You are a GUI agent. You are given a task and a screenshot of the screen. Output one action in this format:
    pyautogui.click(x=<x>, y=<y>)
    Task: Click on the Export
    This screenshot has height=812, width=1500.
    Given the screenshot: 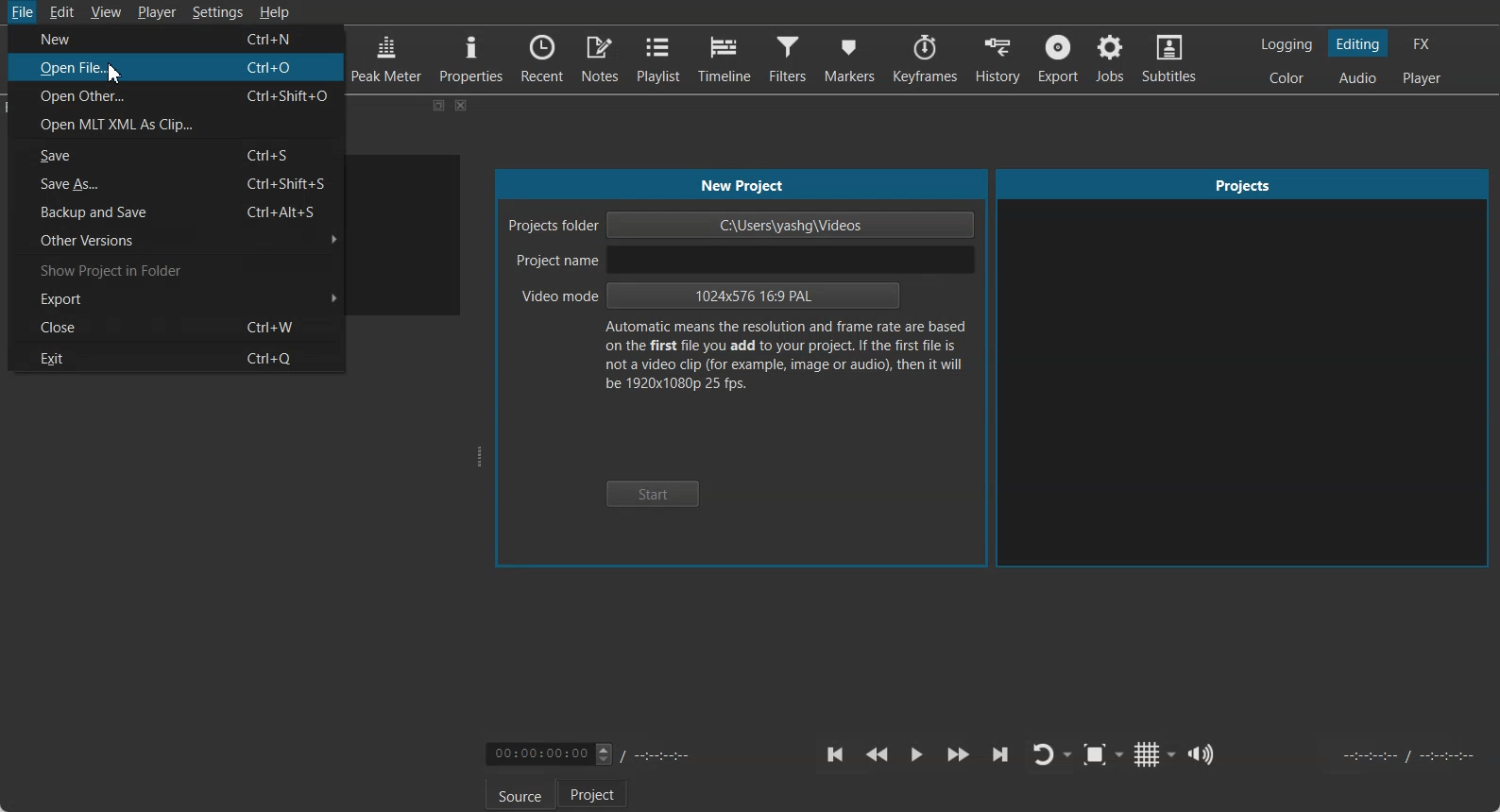 What is the action you would take?
    pyautogui.click(x=177, y=300)
    